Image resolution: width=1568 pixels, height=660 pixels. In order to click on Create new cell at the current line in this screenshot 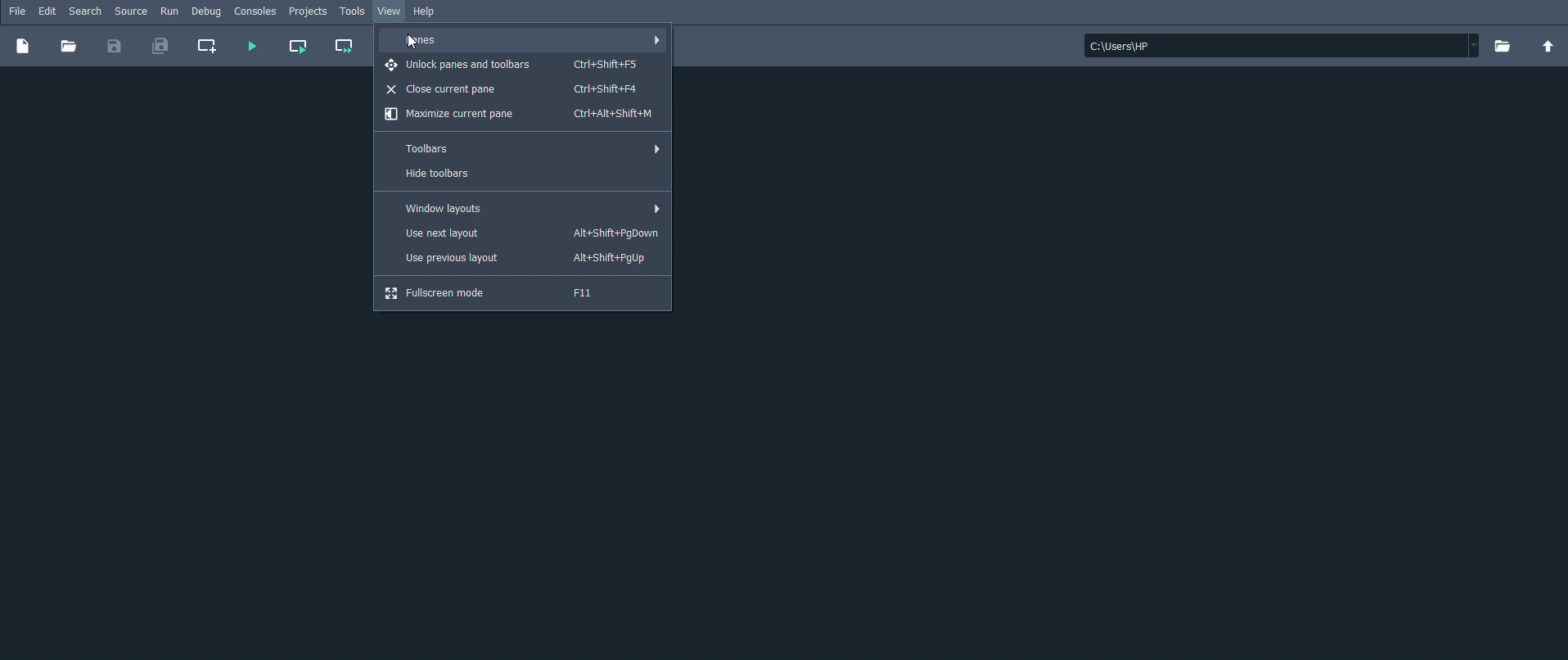, I will do `click(210, 47)`.